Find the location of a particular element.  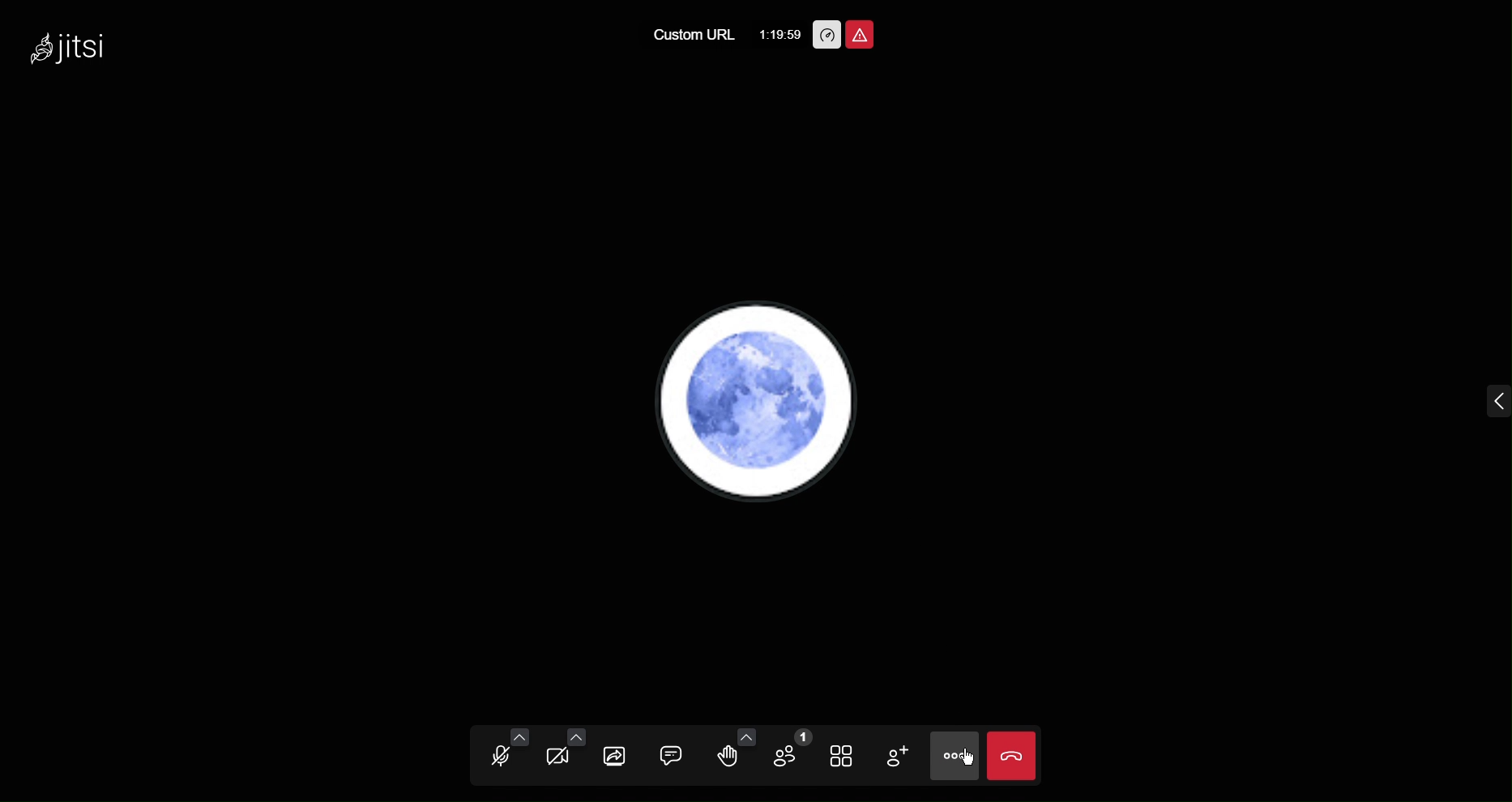

Account Profile picture is located at coordinates (754, 400).